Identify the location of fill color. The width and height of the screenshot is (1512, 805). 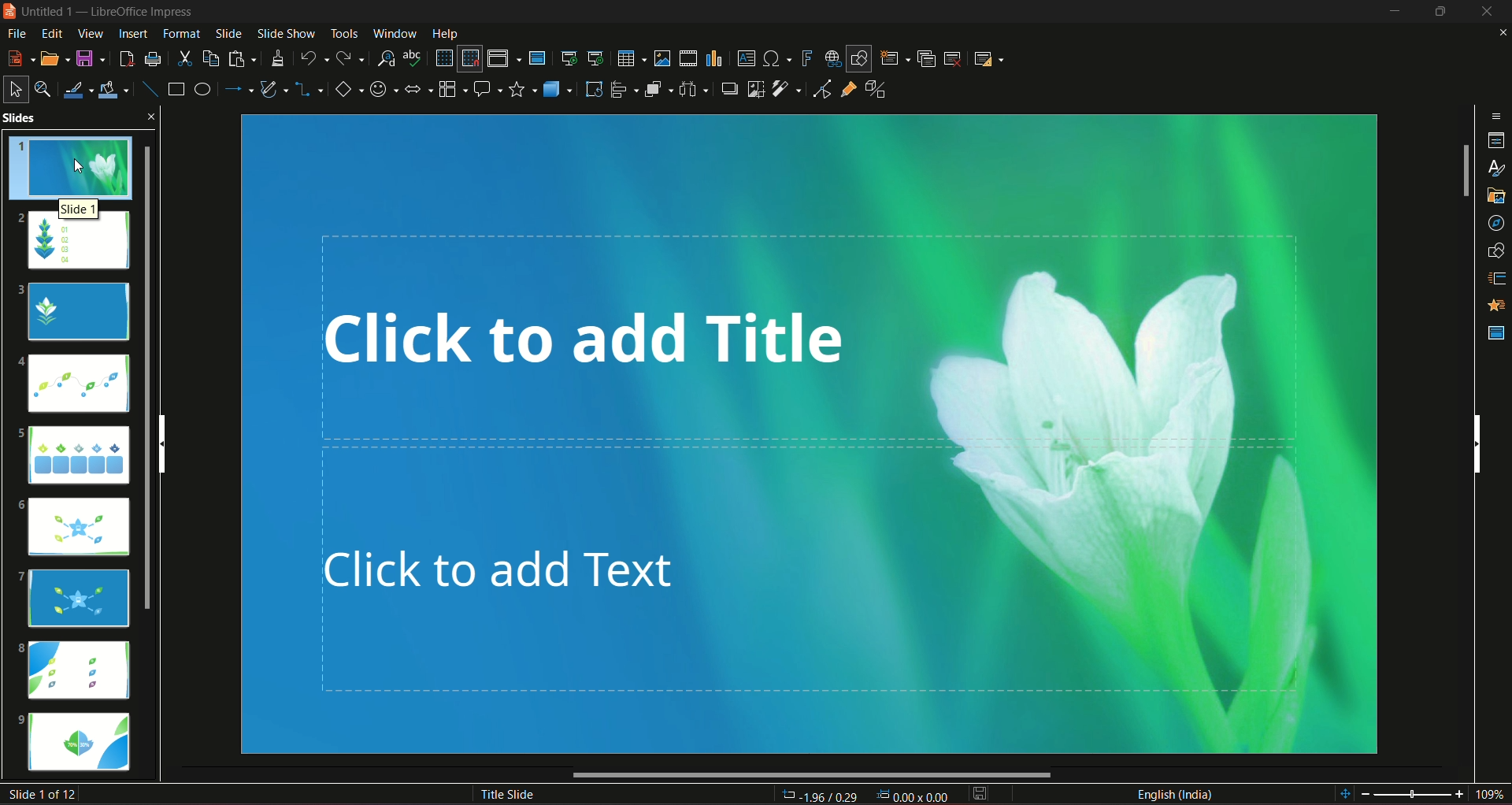
(117, 87).